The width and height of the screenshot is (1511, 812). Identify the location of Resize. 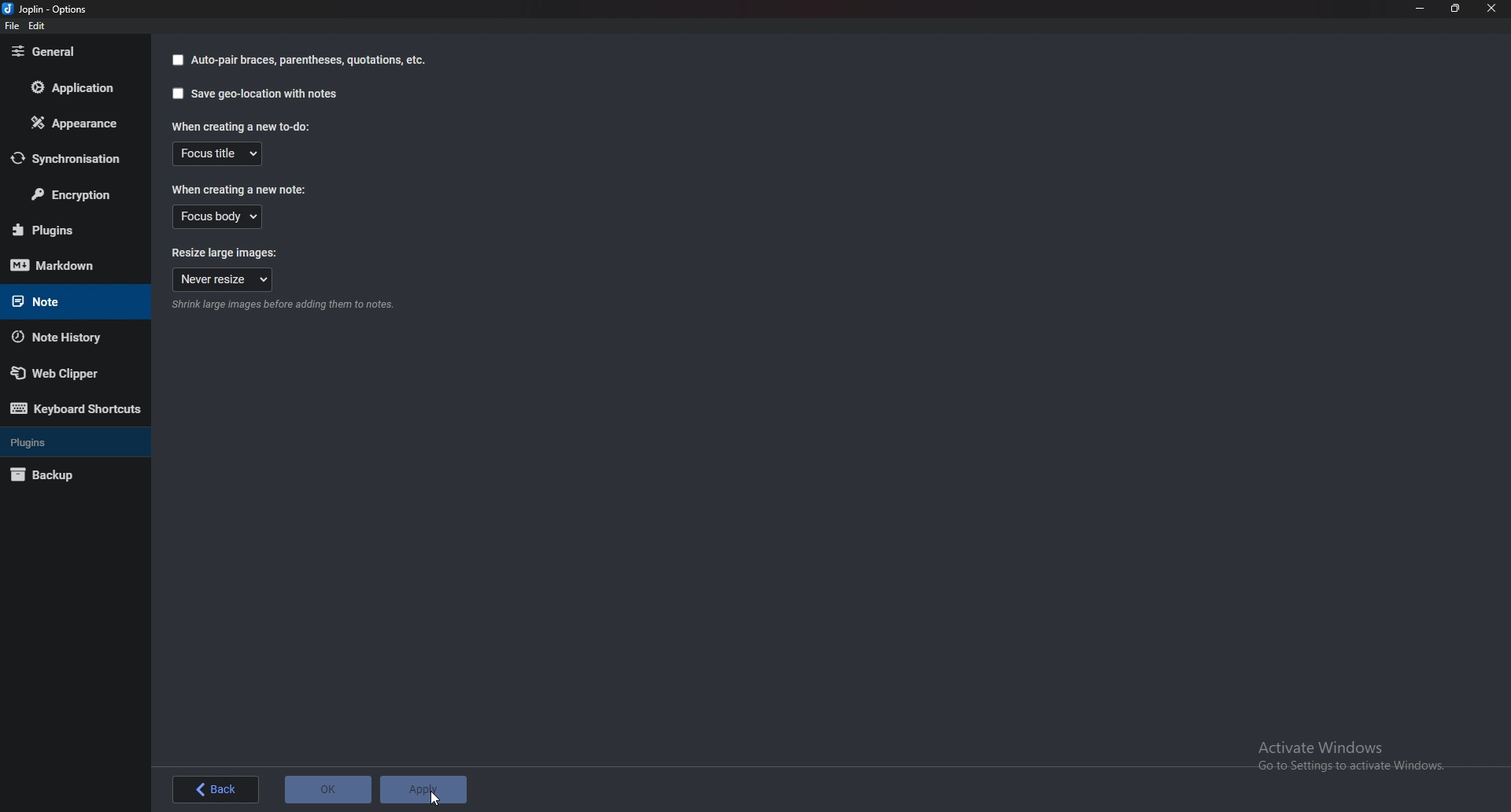
(1455, 9).